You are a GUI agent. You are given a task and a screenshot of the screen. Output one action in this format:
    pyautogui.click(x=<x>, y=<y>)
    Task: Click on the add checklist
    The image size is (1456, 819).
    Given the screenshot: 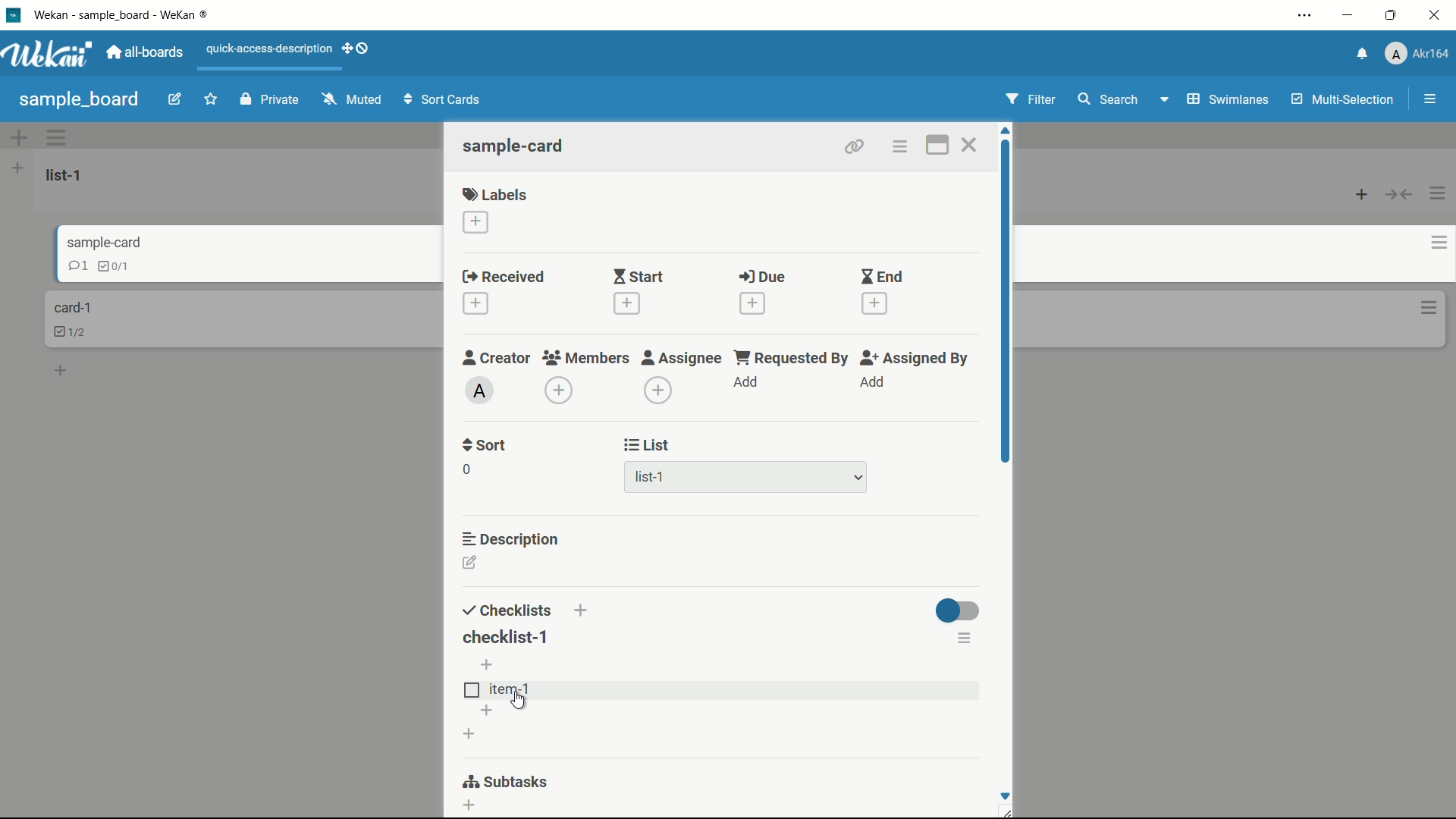 What is the action you would take?
    pyautogui.click(x=470, y=734)
    